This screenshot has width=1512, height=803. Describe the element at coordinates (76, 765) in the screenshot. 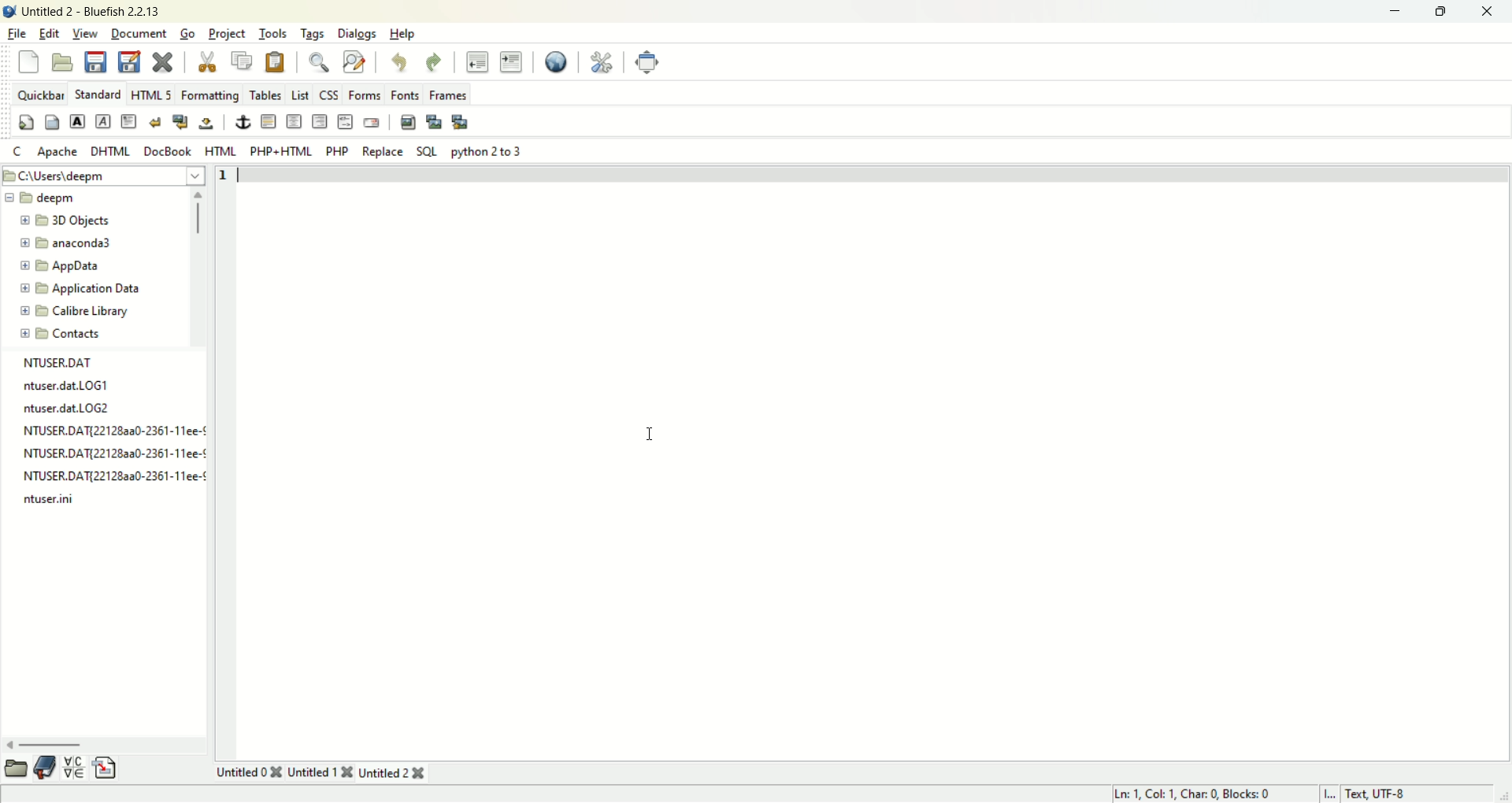

I see `insert special character` at that location.